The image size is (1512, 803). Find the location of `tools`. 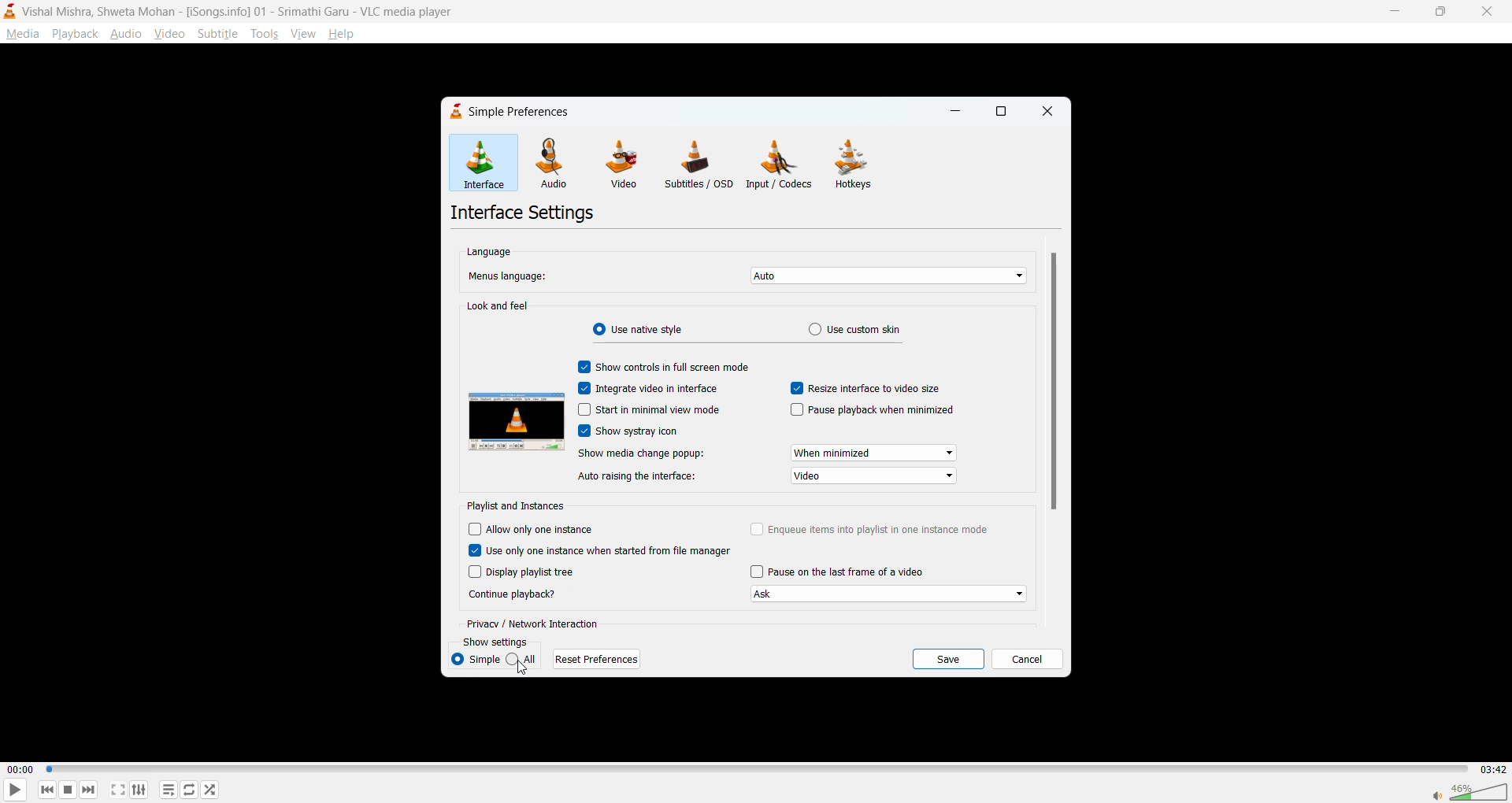

tools is located at coordinates (263, 34).